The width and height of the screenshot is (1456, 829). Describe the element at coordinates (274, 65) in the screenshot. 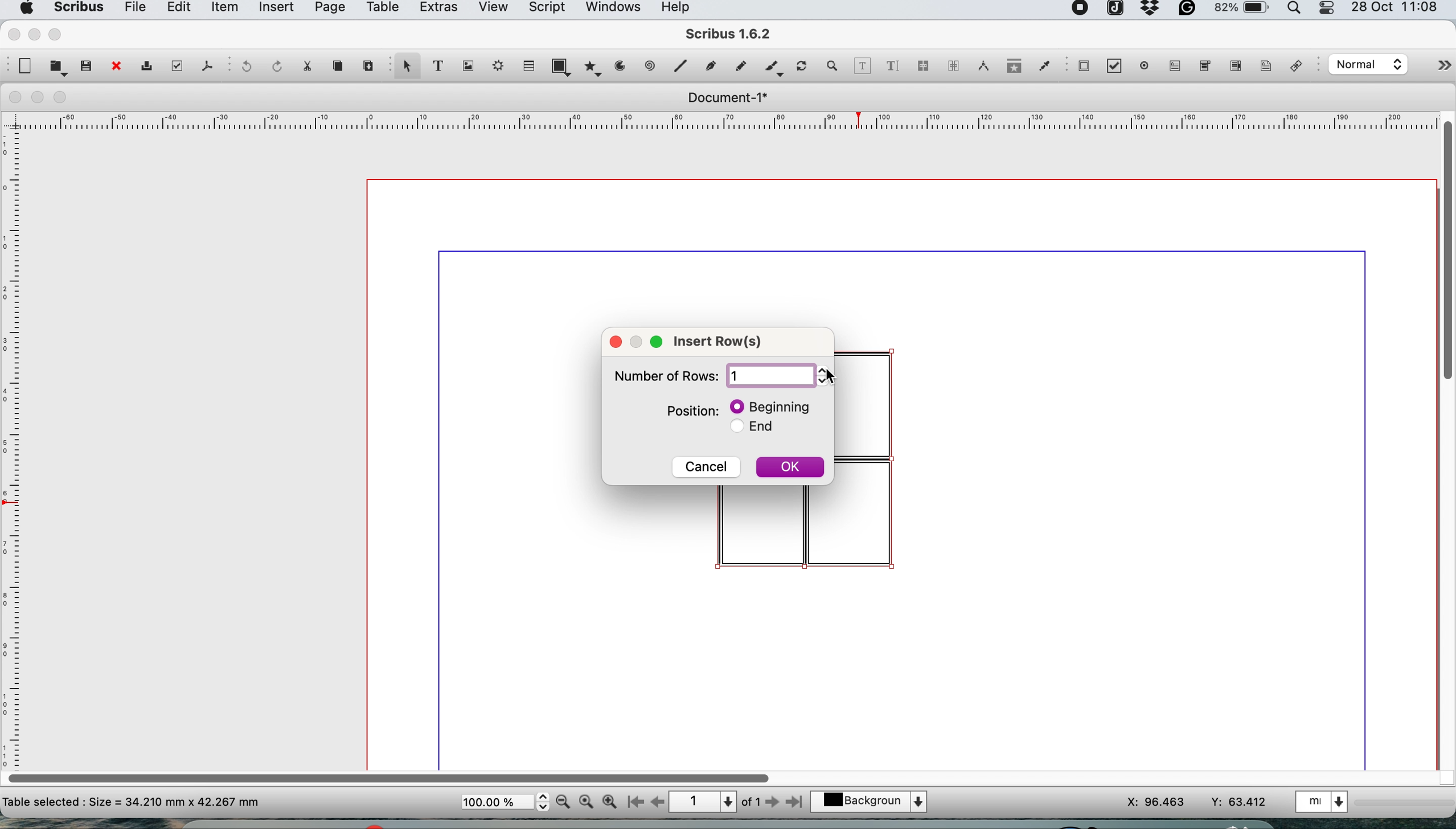

I see `redo` at that location.